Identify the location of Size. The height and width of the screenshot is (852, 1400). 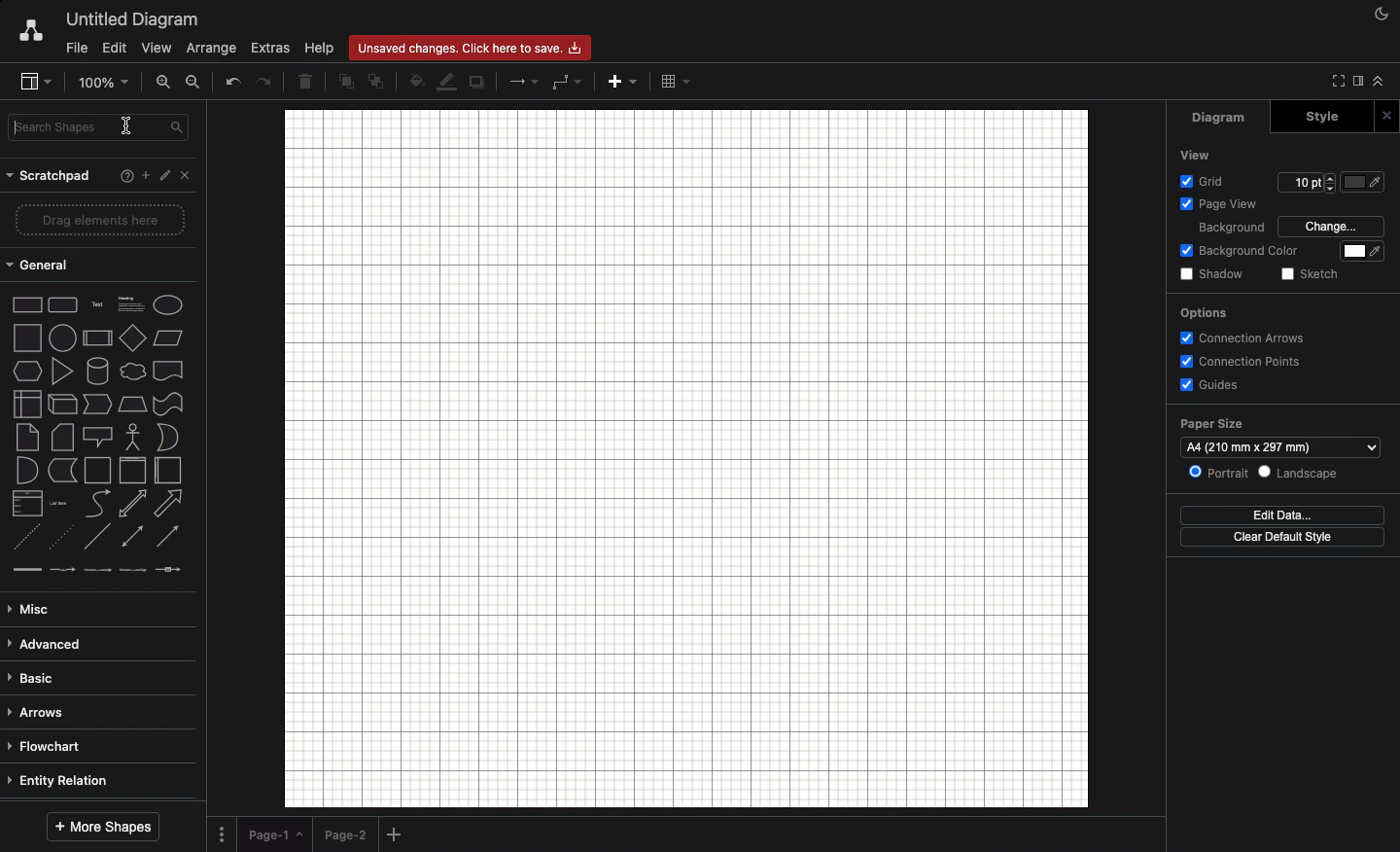
(1308, 183).